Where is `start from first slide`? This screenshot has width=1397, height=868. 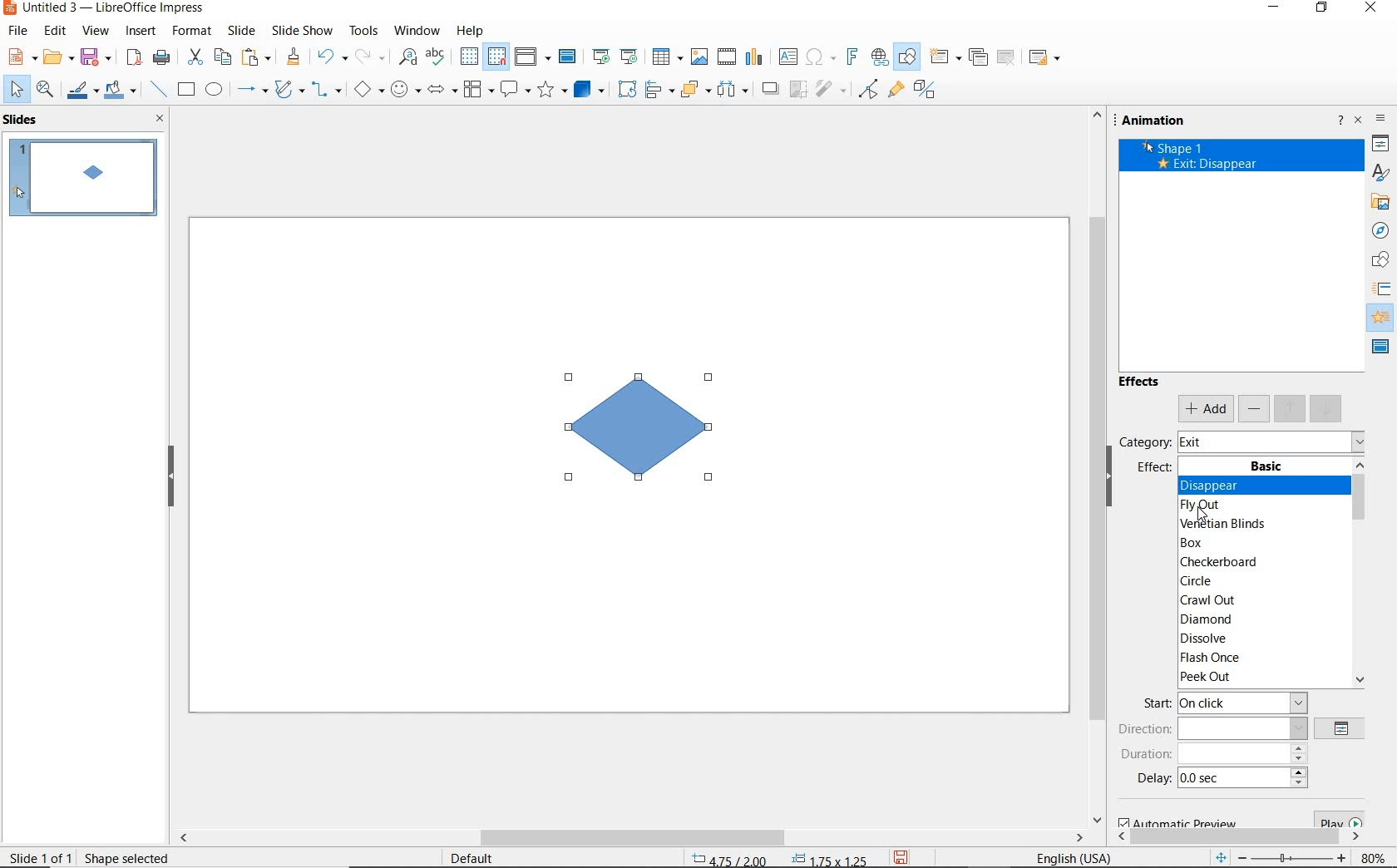
start from first slide is located at coordinates (602, 57).